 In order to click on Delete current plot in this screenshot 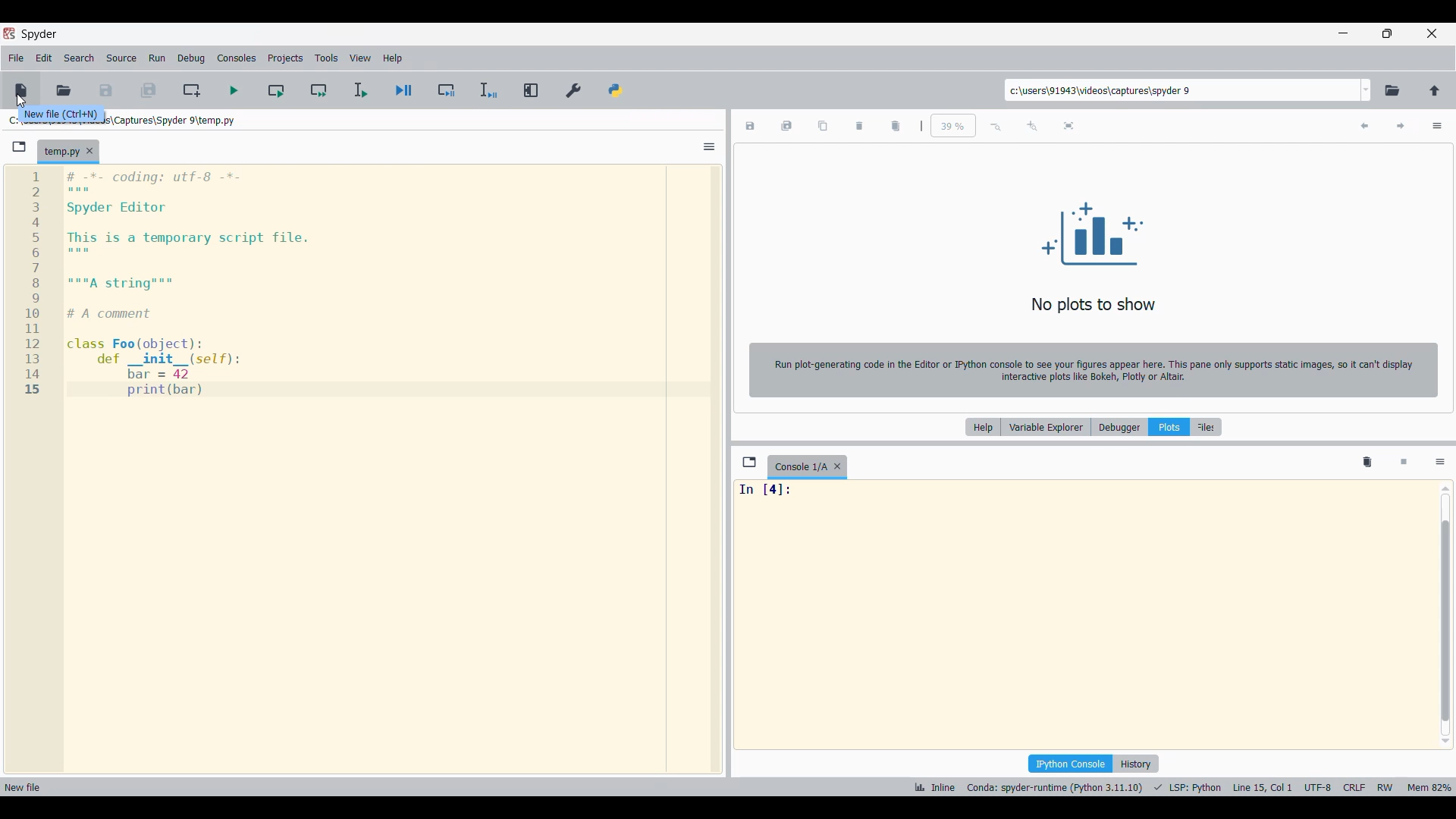, I will do `click(859, 126)`.